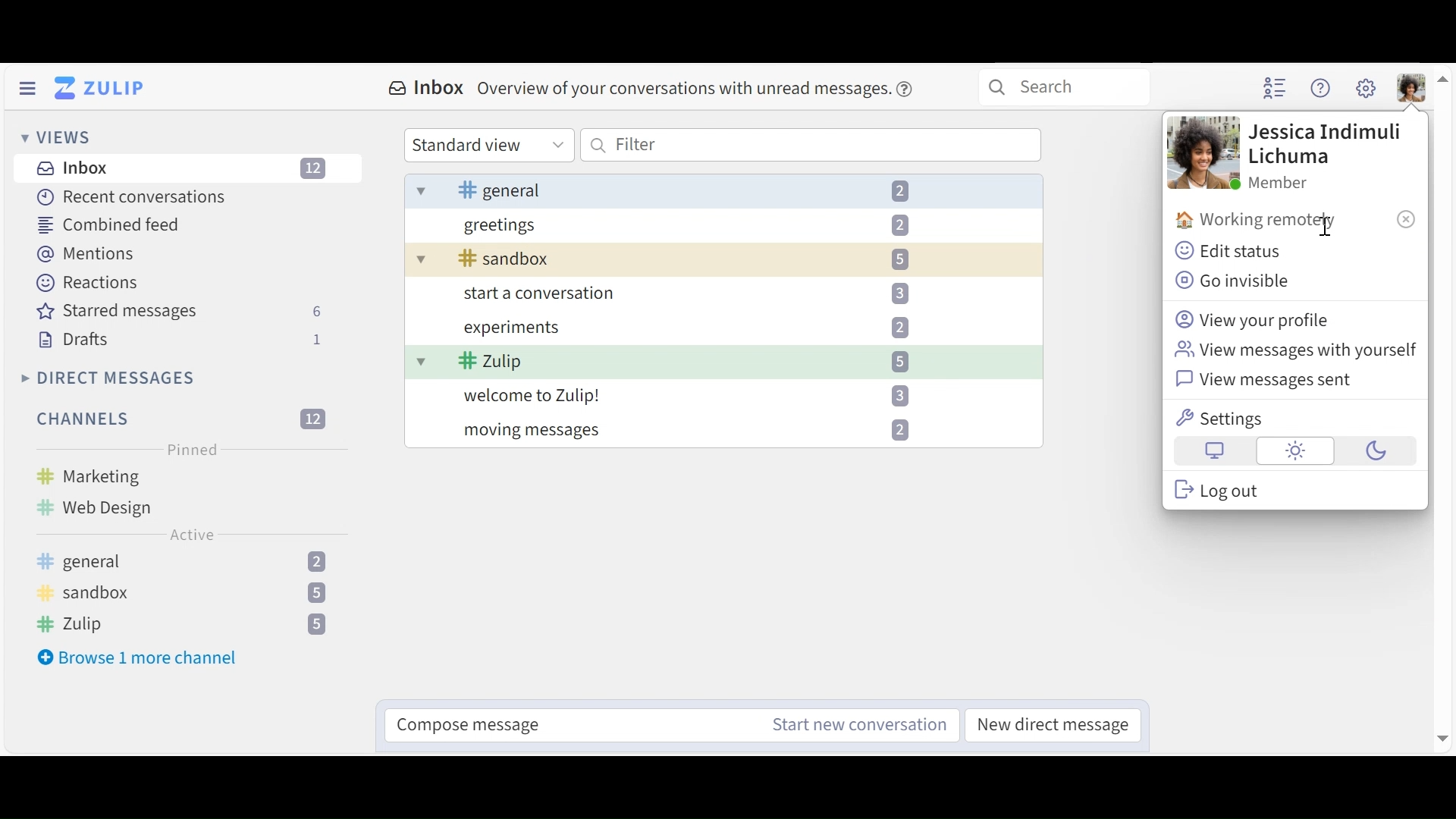 This screenshot has height=819, width=1456. Describe the element at coordinates (1222, 489) in the screenshot. I see `Log out` at that location.